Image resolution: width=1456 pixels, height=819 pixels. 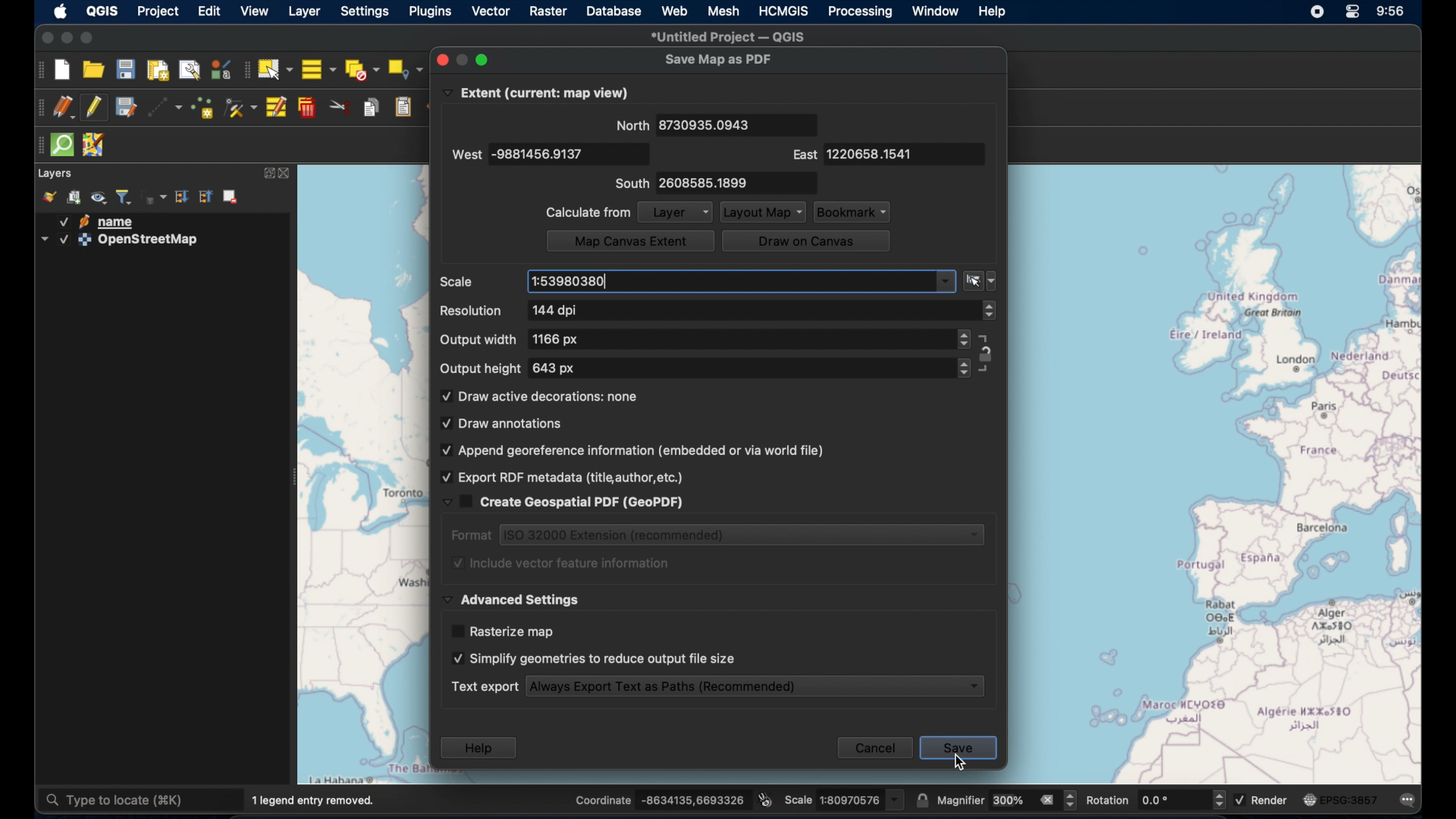 I want to click on show layout manager, so click(x=190, y=69).